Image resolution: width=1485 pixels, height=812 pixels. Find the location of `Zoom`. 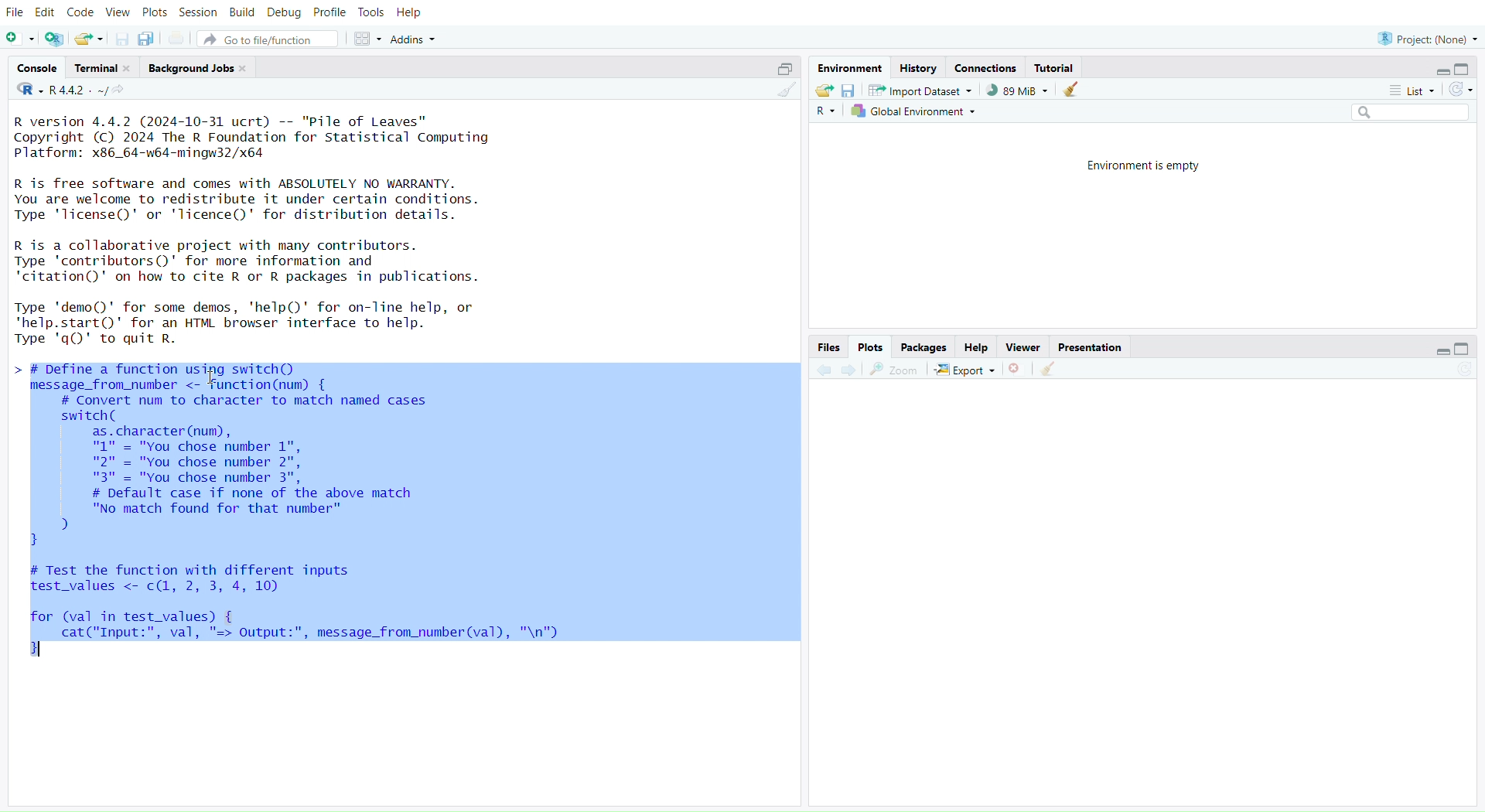

Zoom is located at coordinates (897, 369).